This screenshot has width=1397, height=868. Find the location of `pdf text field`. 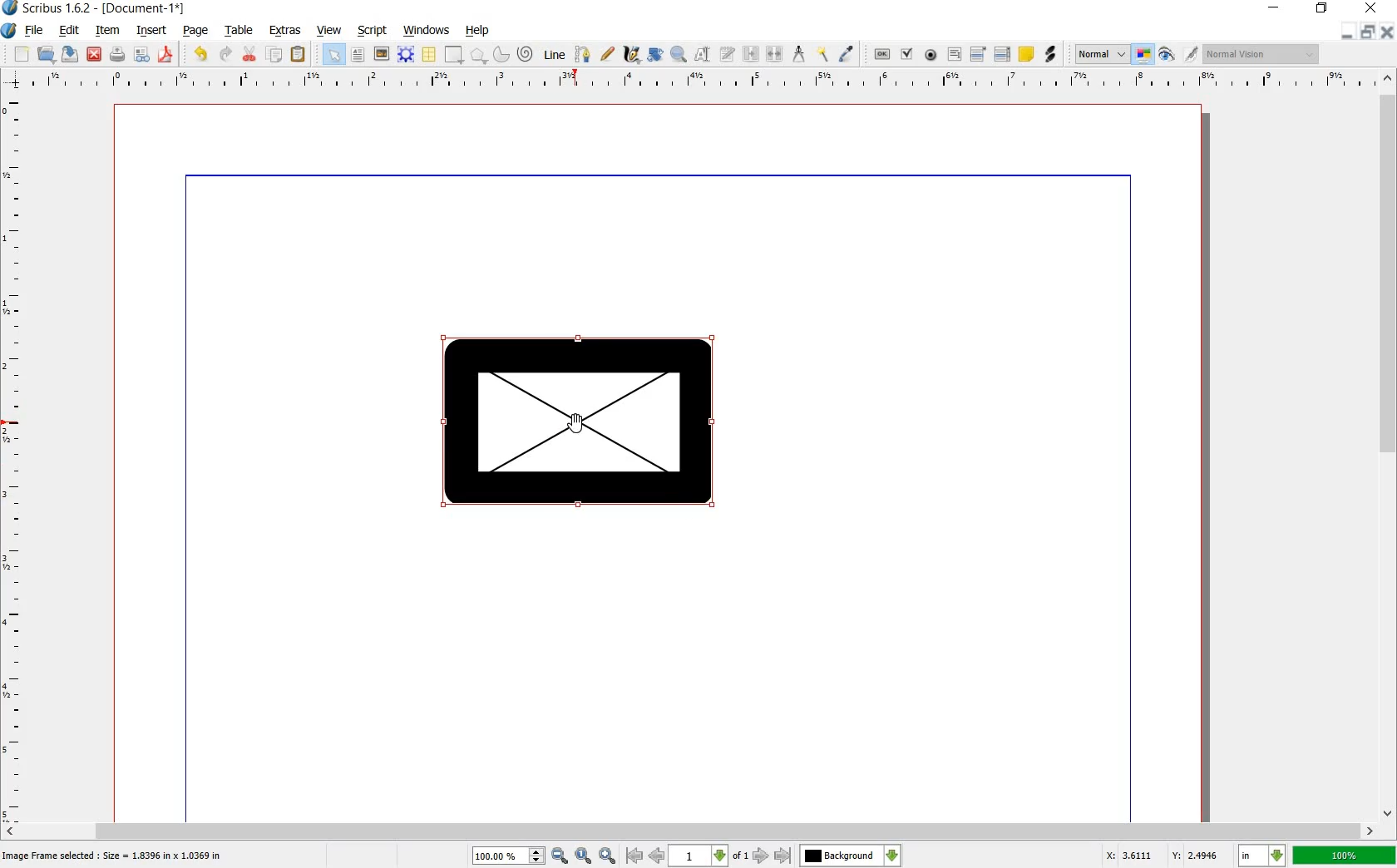

pdf text field is located at coordinates (955, 55).